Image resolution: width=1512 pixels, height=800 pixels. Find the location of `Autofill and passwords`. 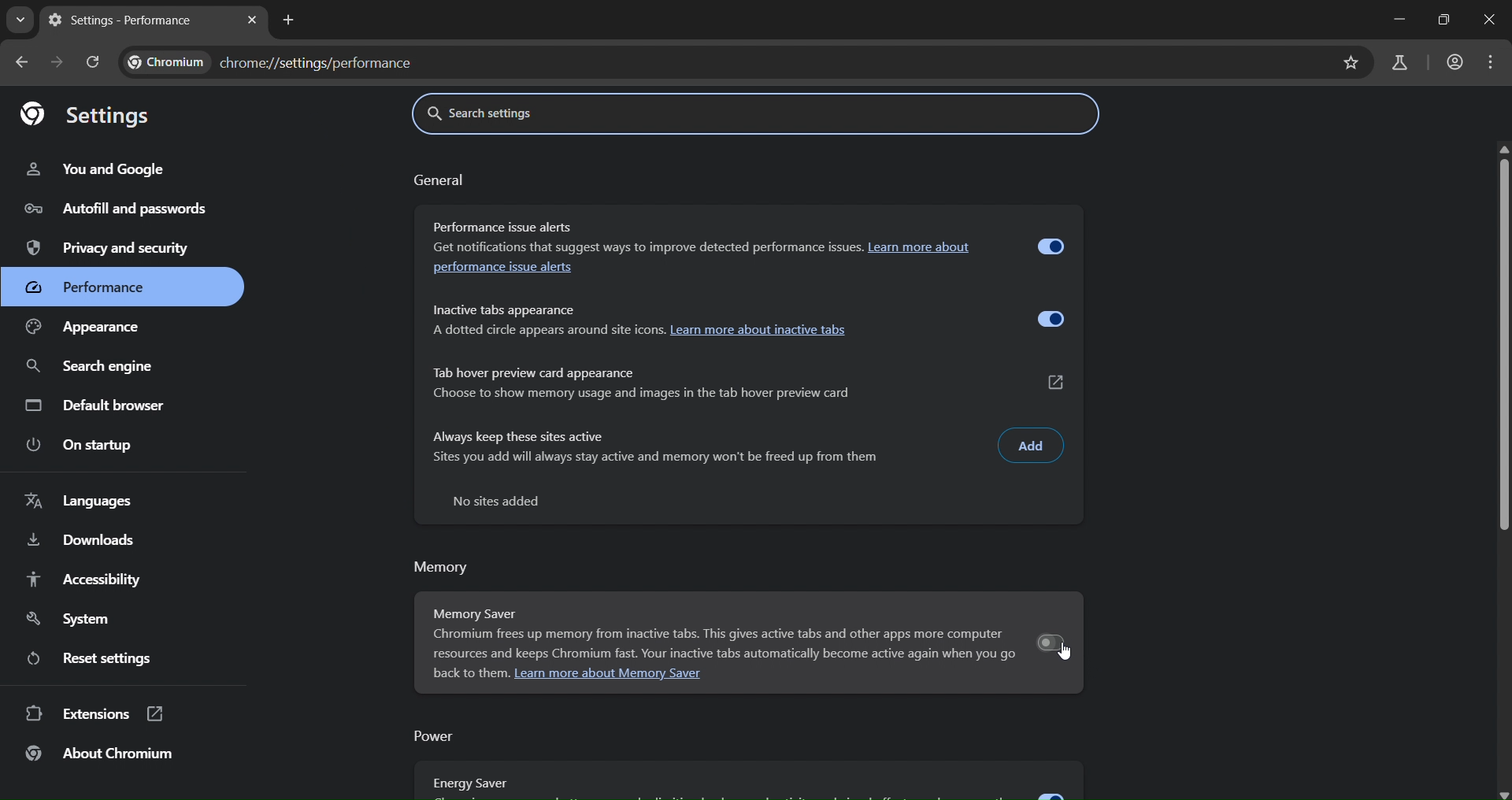

Autofill and passwords is located at coordinates (113, 209).